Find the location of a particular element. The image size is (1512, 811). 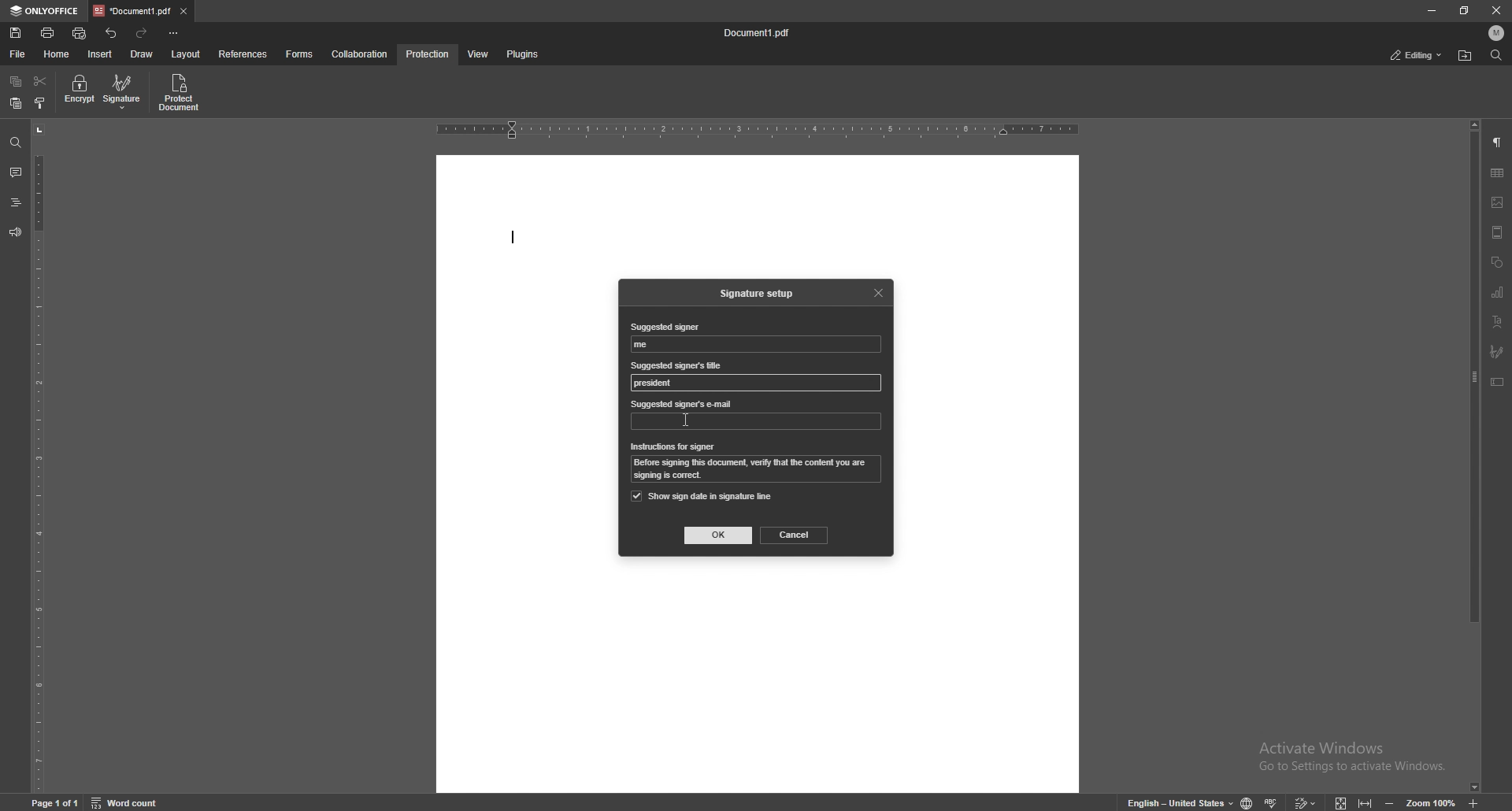

suggested signer is located at coordinates (647, 345).